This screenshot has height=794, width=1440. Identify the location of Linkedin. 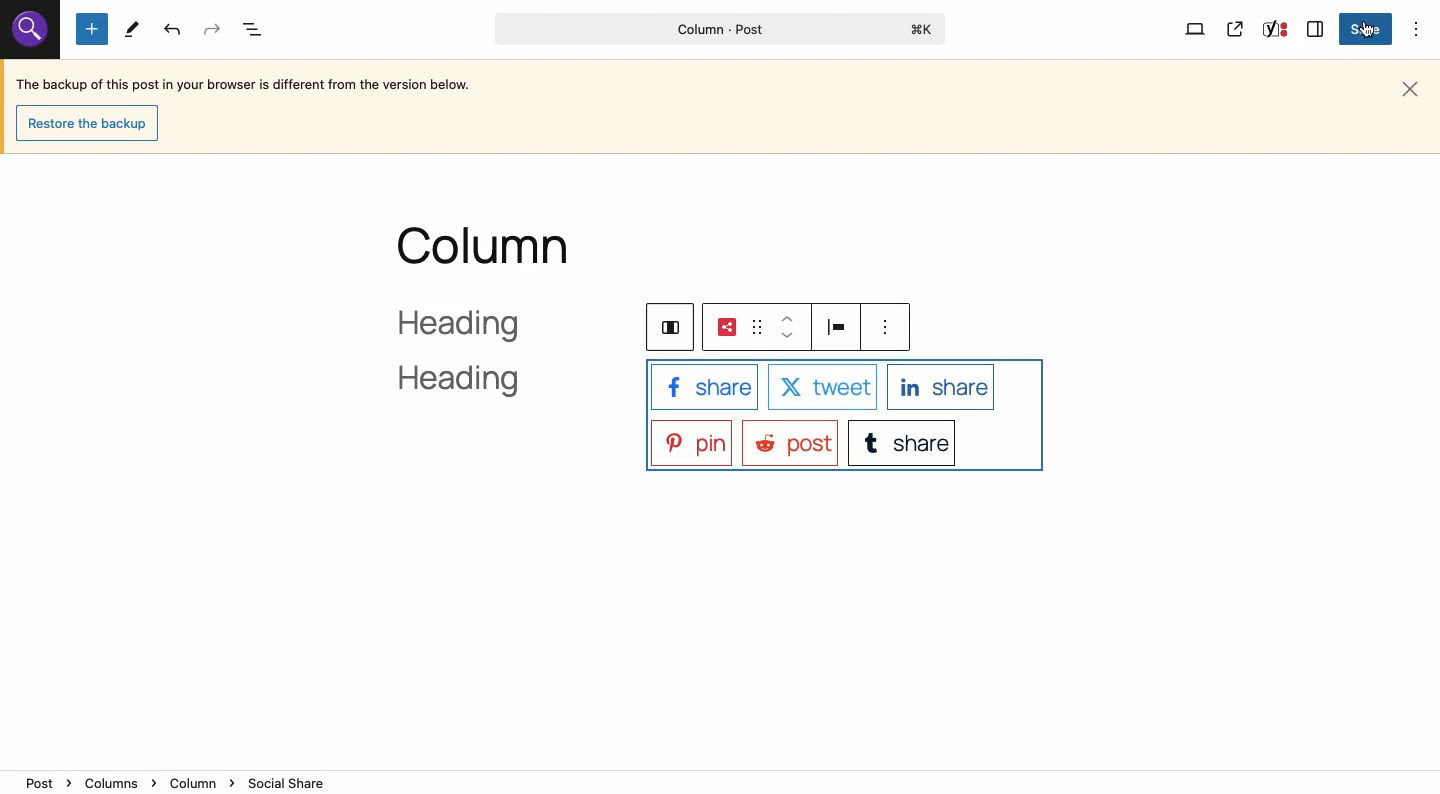
(941, 386).